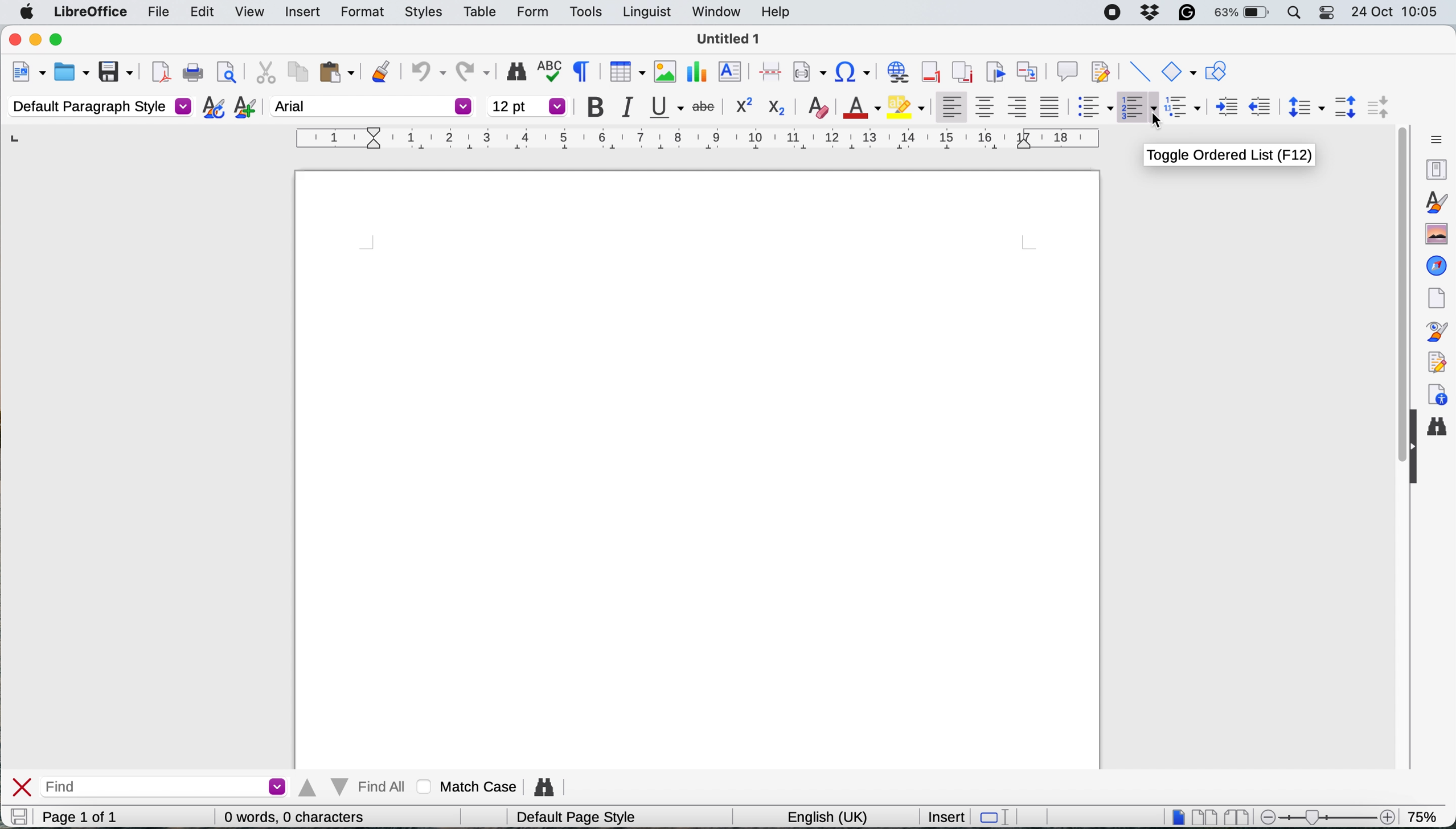 The image size is (1456, 829). Describe the element at coordinates (1053, 106) in the screenshot. I see `justified` at that location.